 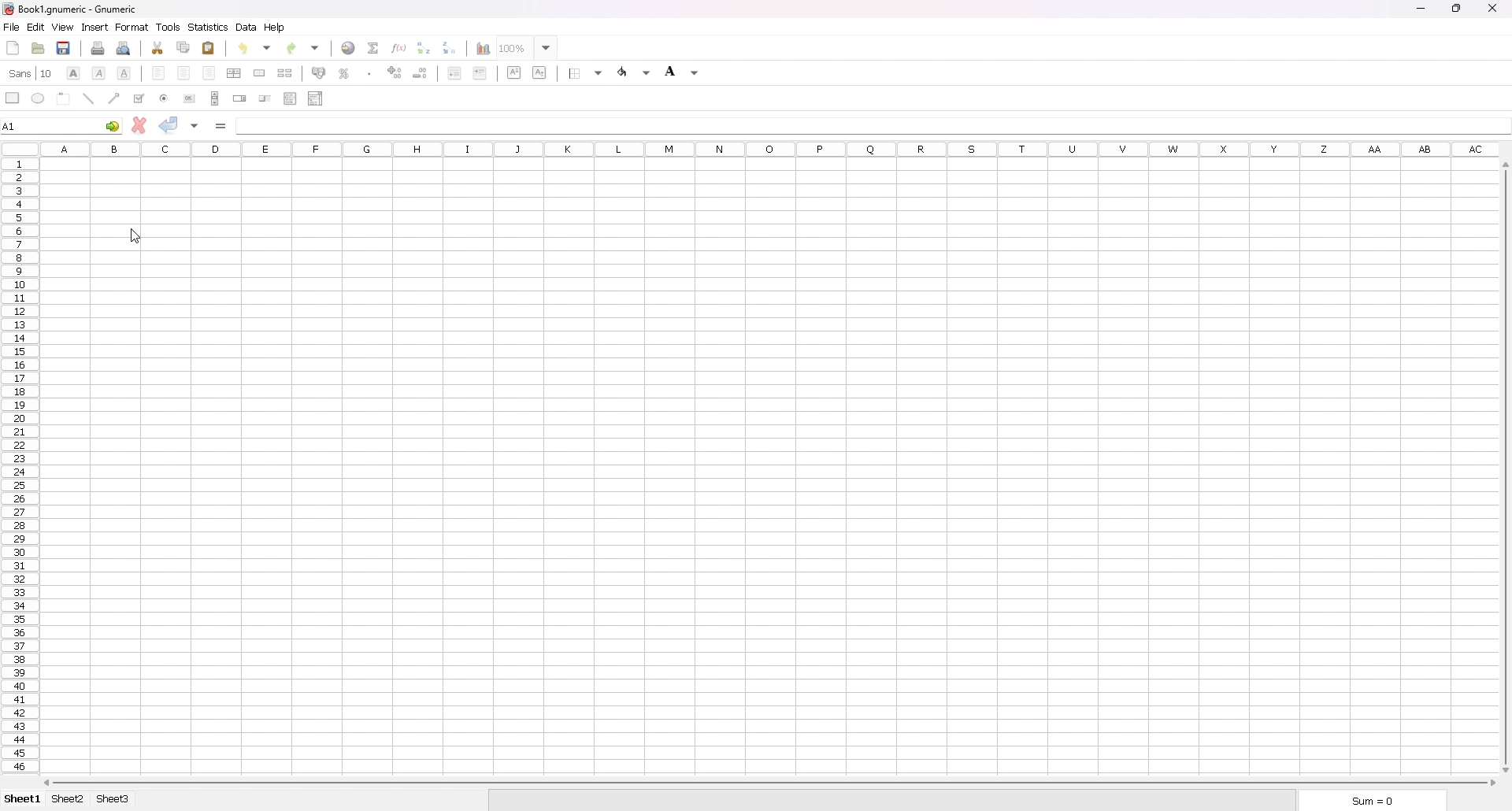 What do you see at coordinates (64, 98) in the screenshot?
I see `frame` at bounding box center [64, 98].